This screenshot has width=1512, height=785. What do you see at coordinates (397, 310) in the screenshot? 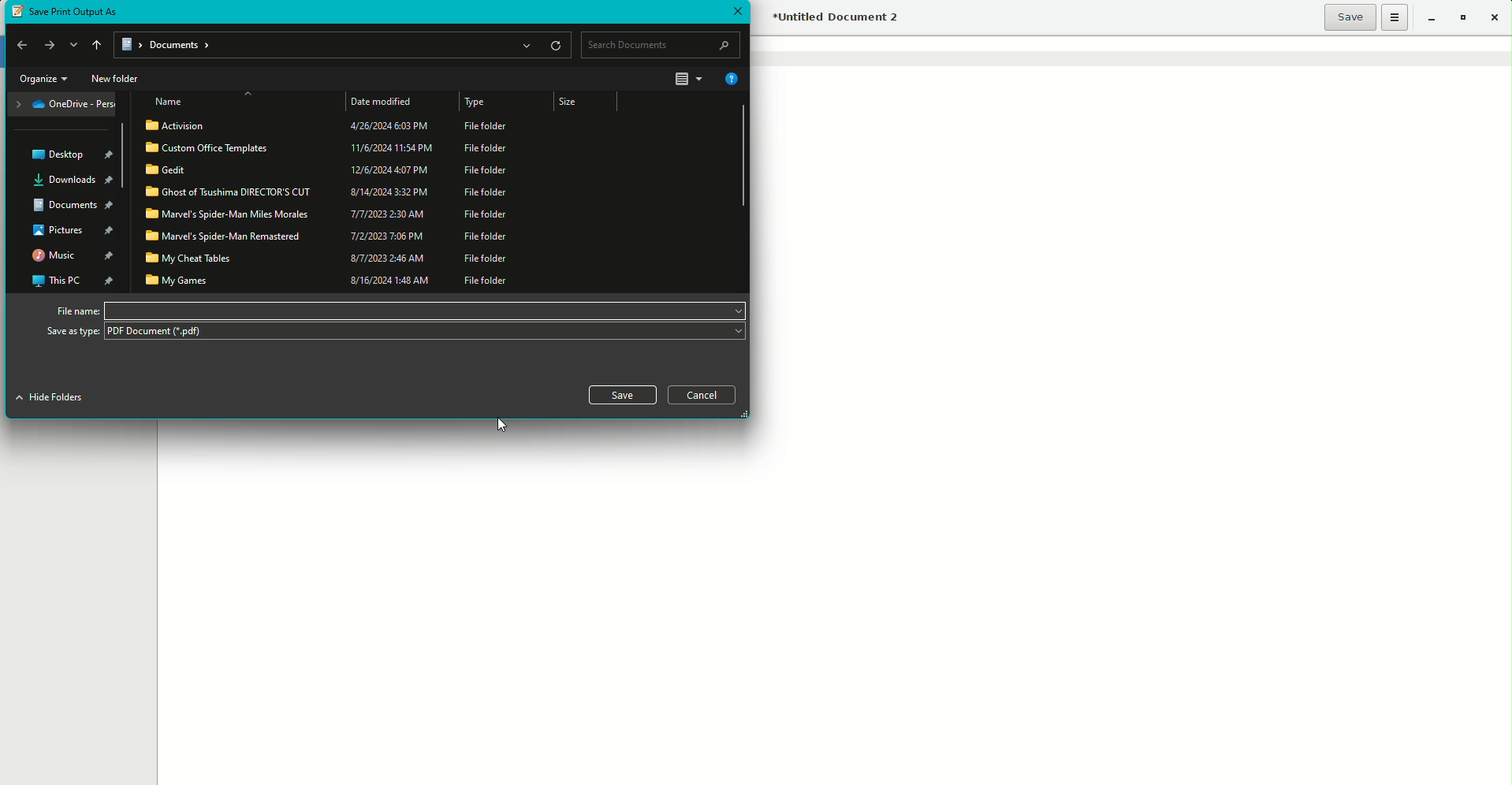
I see `File Name` at bounding box center [397, 310].